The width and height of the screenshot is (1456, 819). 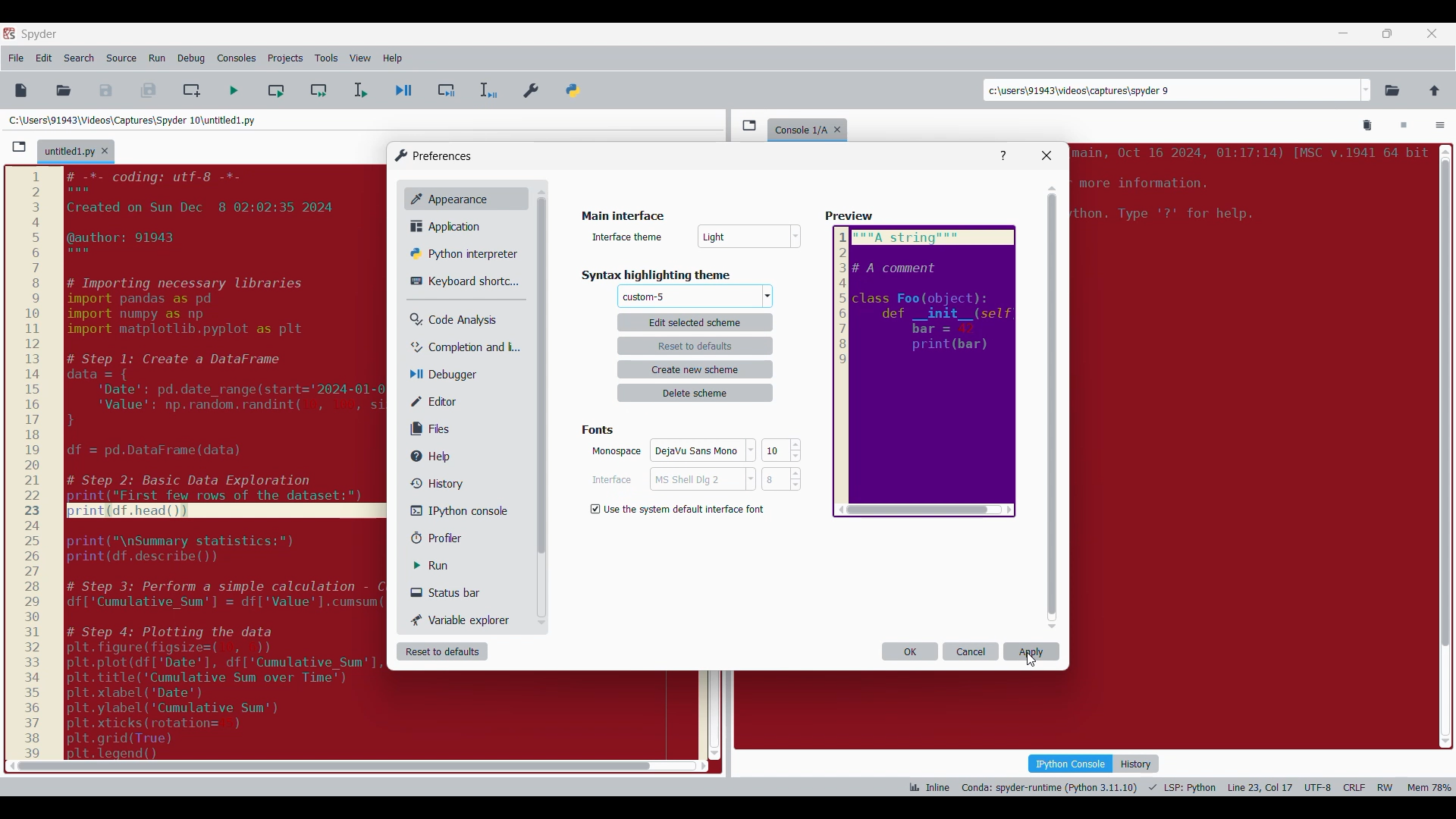 I want to click on Run current cell and go to next one, so click(x=318, y=90).